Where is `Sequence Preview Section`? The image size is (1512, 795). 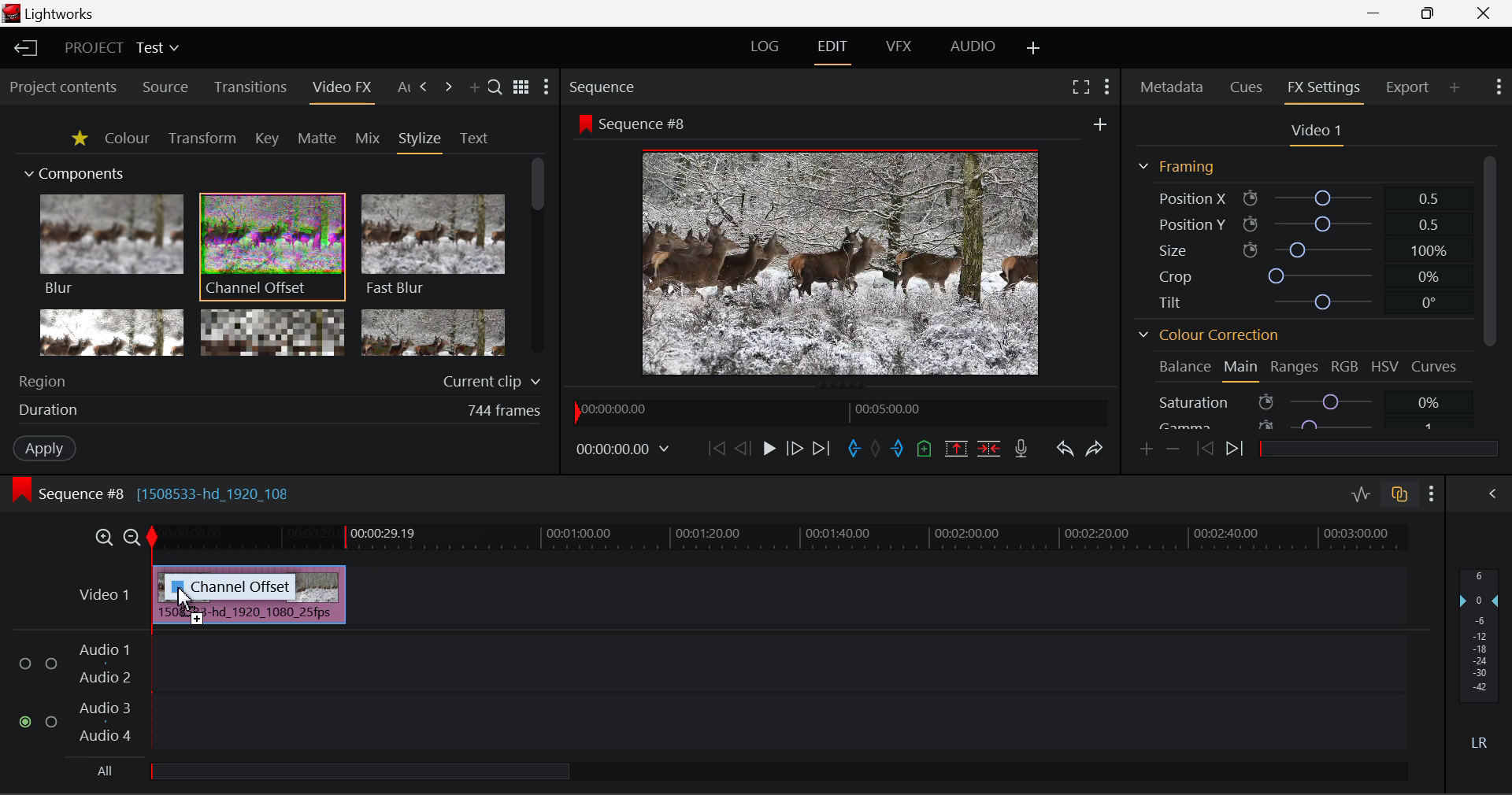 Sequence Preview Section is located at coordinates (604, 86).